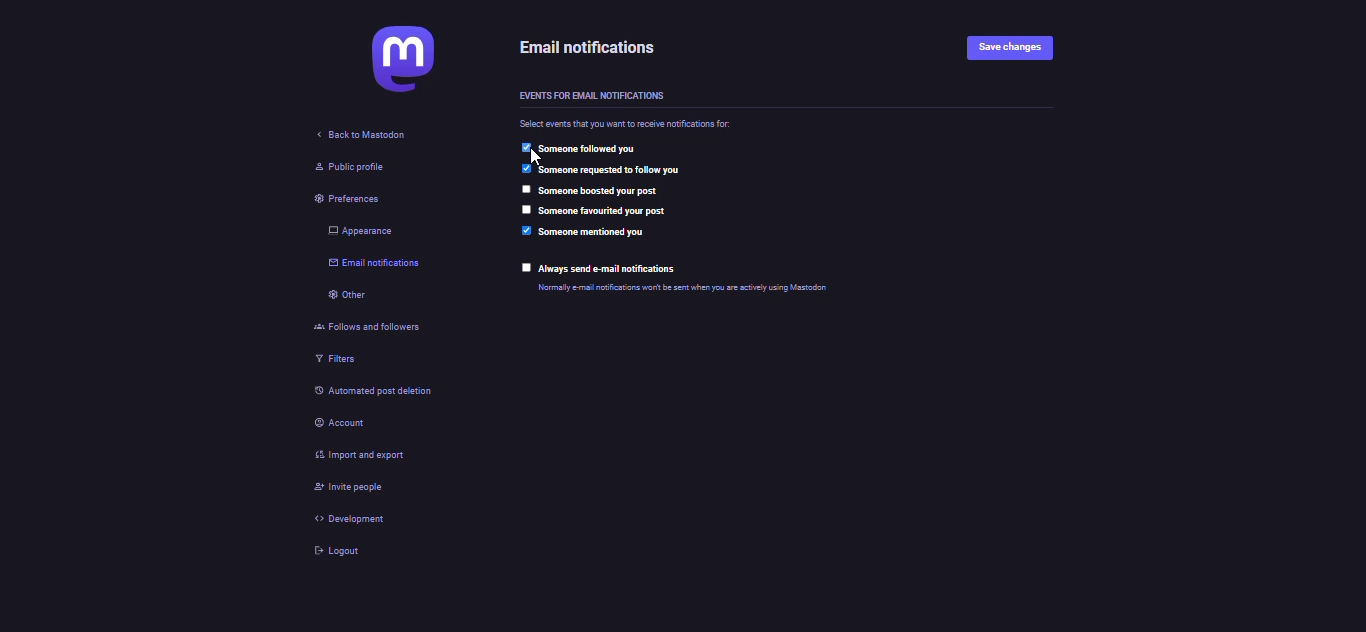 This screenshot has width=1366, height=632. Describe the element at coordinates (525, 168) in the screenshot. I see `enabled` at that location.